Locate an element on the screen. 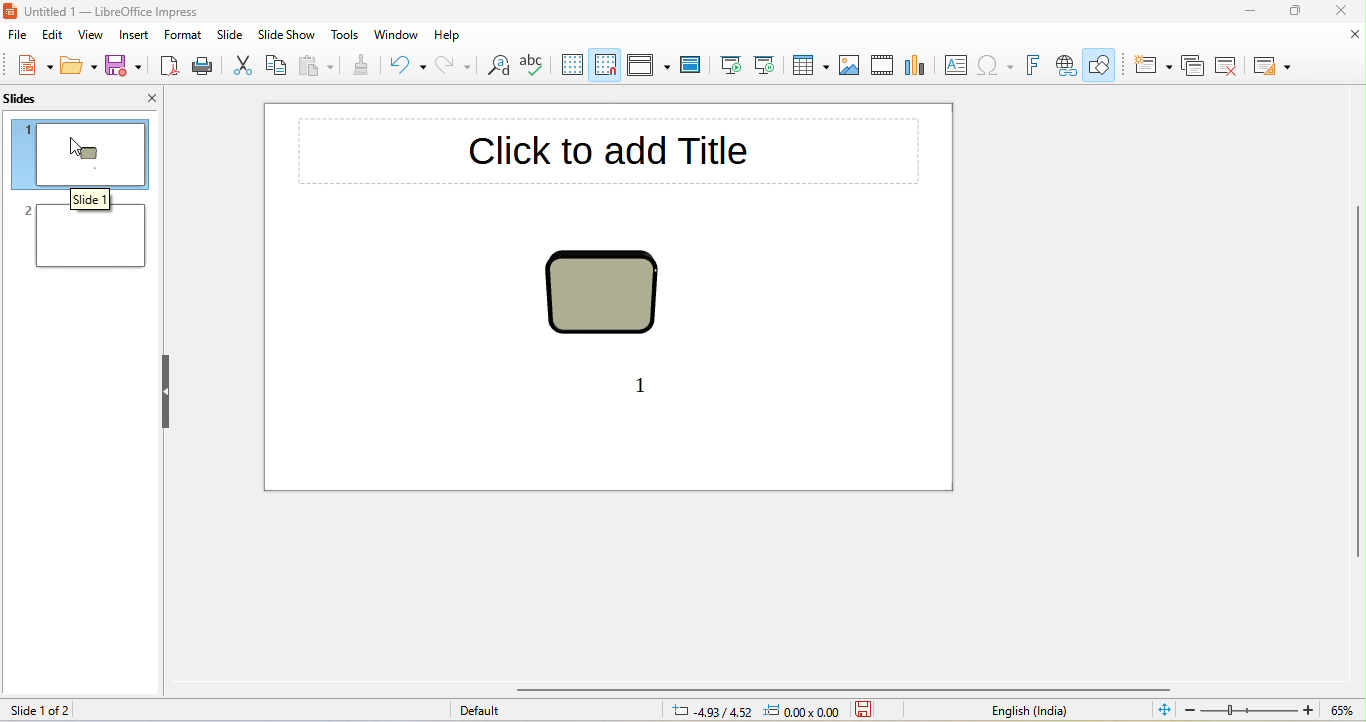 The height and width of the screenshot is (722, 1366). delete slide is located at coordinates (1231, 66).